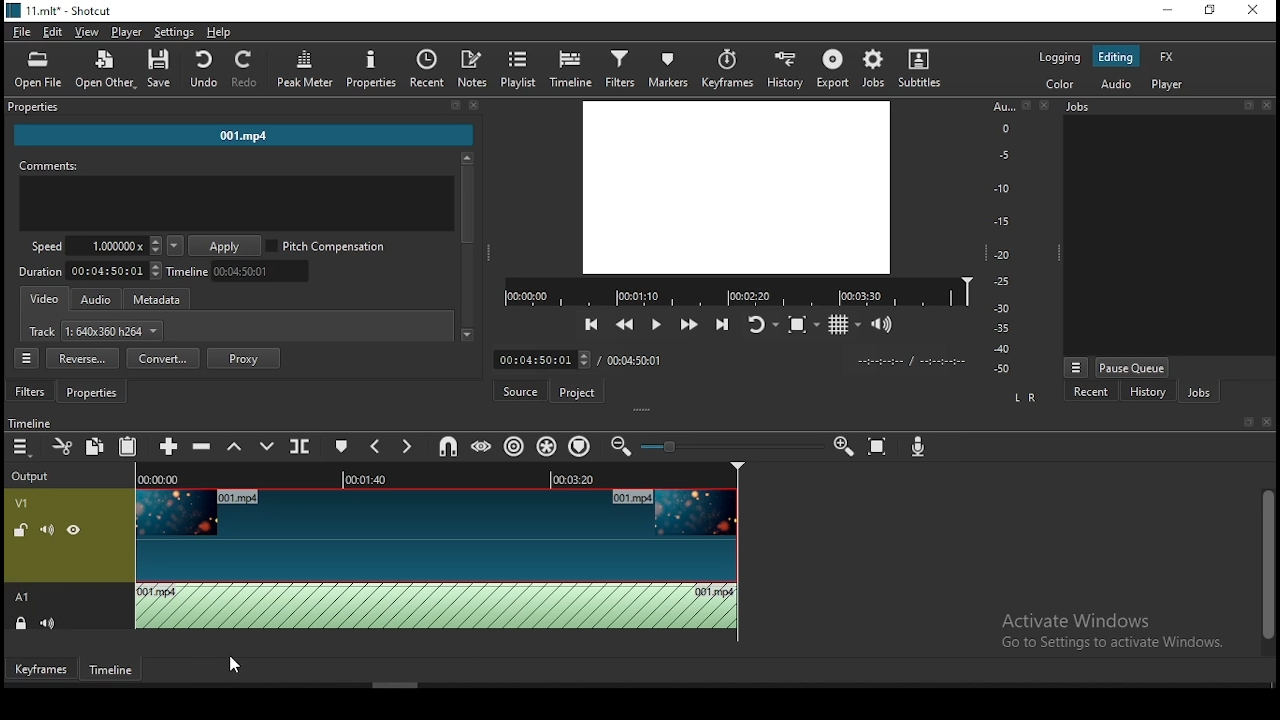  I want to click on time input, so click(541, 358).